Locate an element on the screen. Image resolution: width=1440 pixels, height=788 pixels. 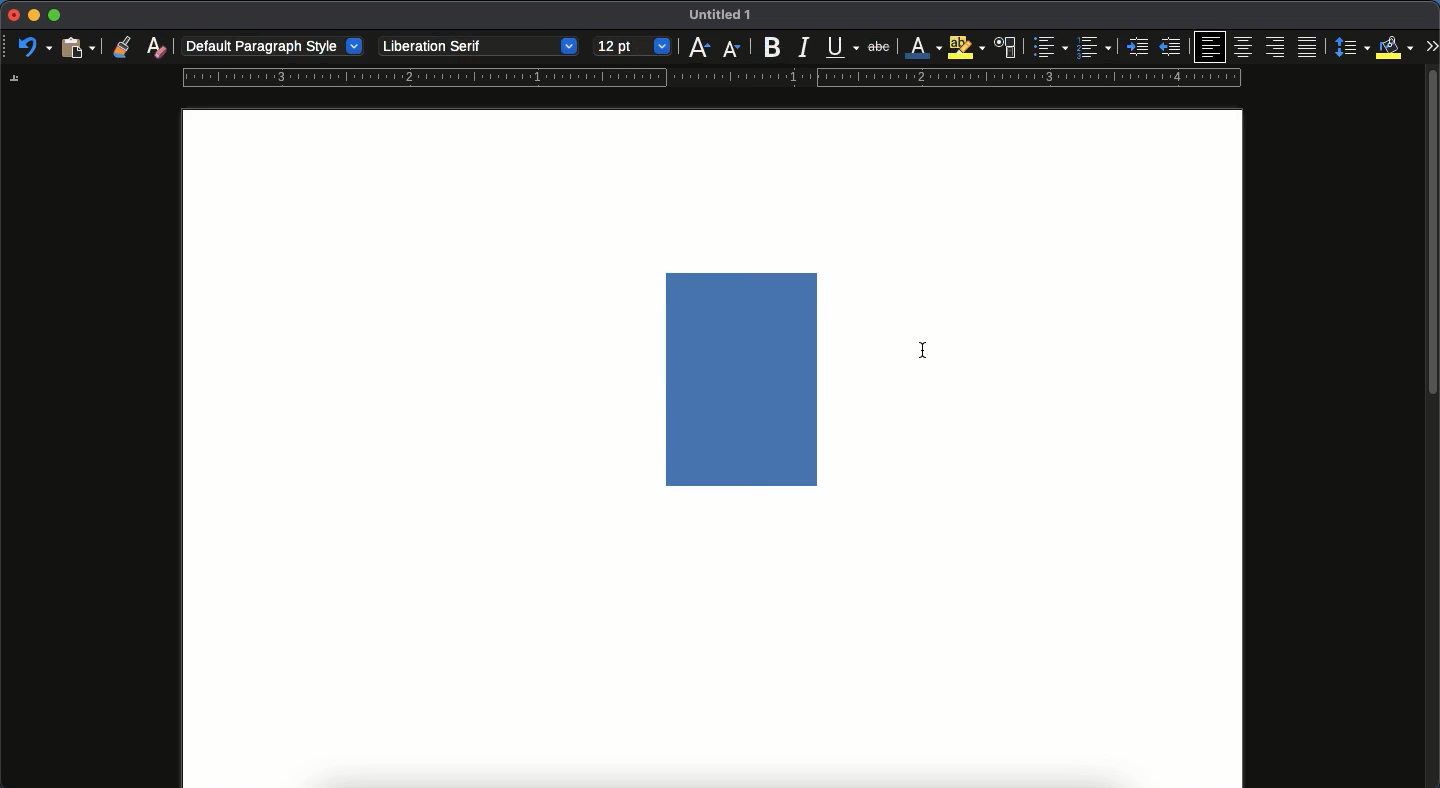
left align is located at coordinates (1212, 46).